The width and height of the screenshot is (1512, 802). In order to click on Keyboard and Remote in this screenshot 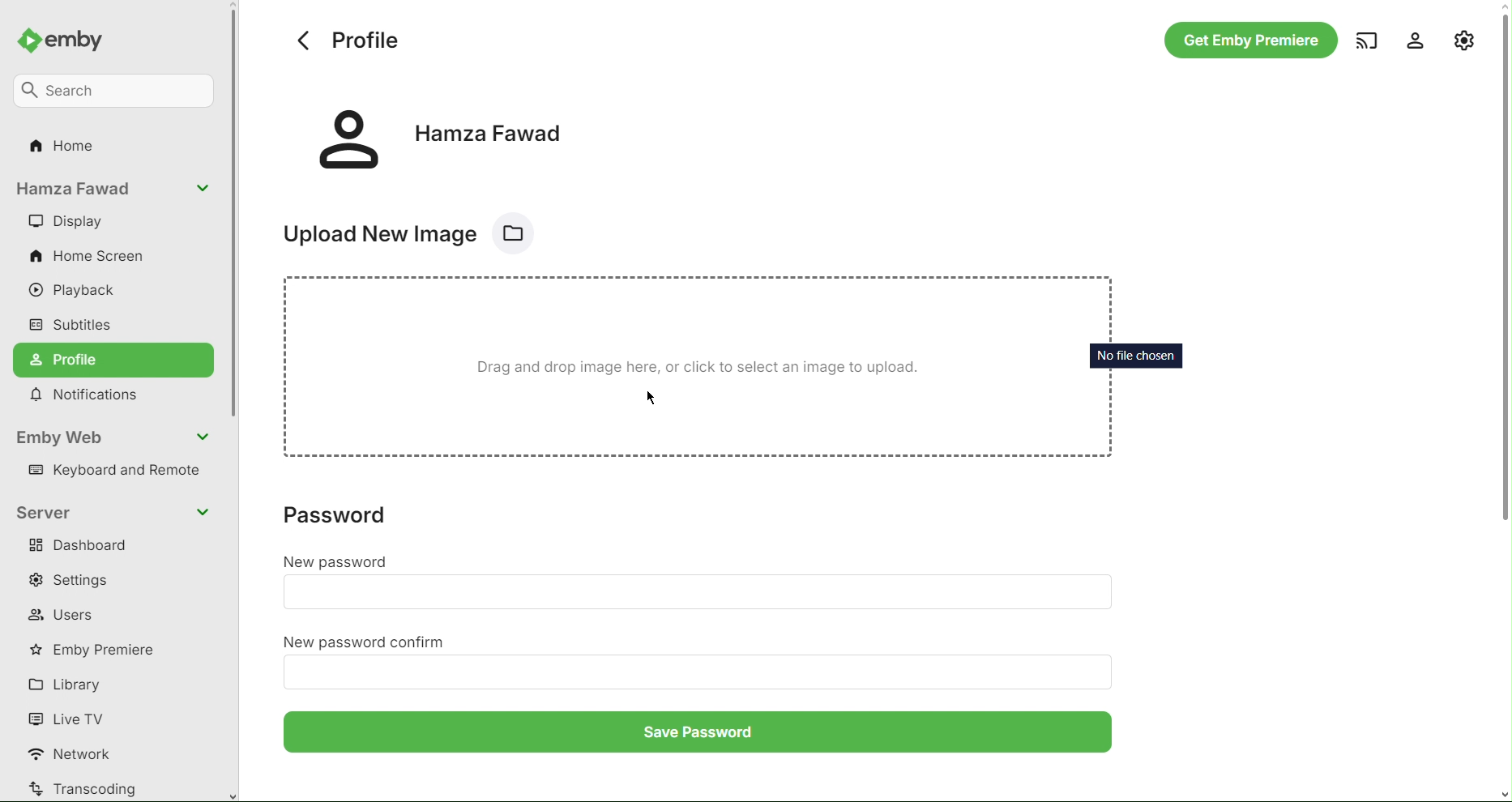, I will do `click(119, 472)`.